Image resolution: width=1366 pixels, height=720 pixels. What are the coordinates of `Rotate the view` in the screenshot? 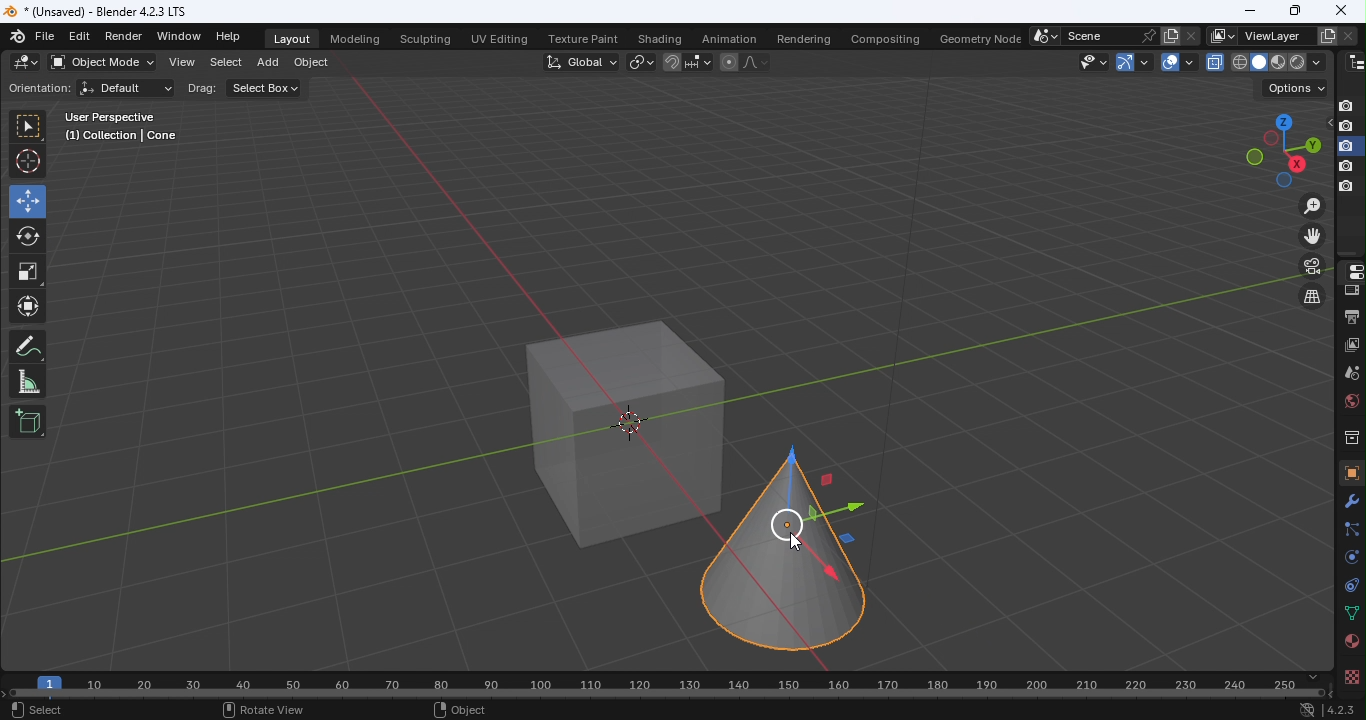 It's located at (1281, 120).